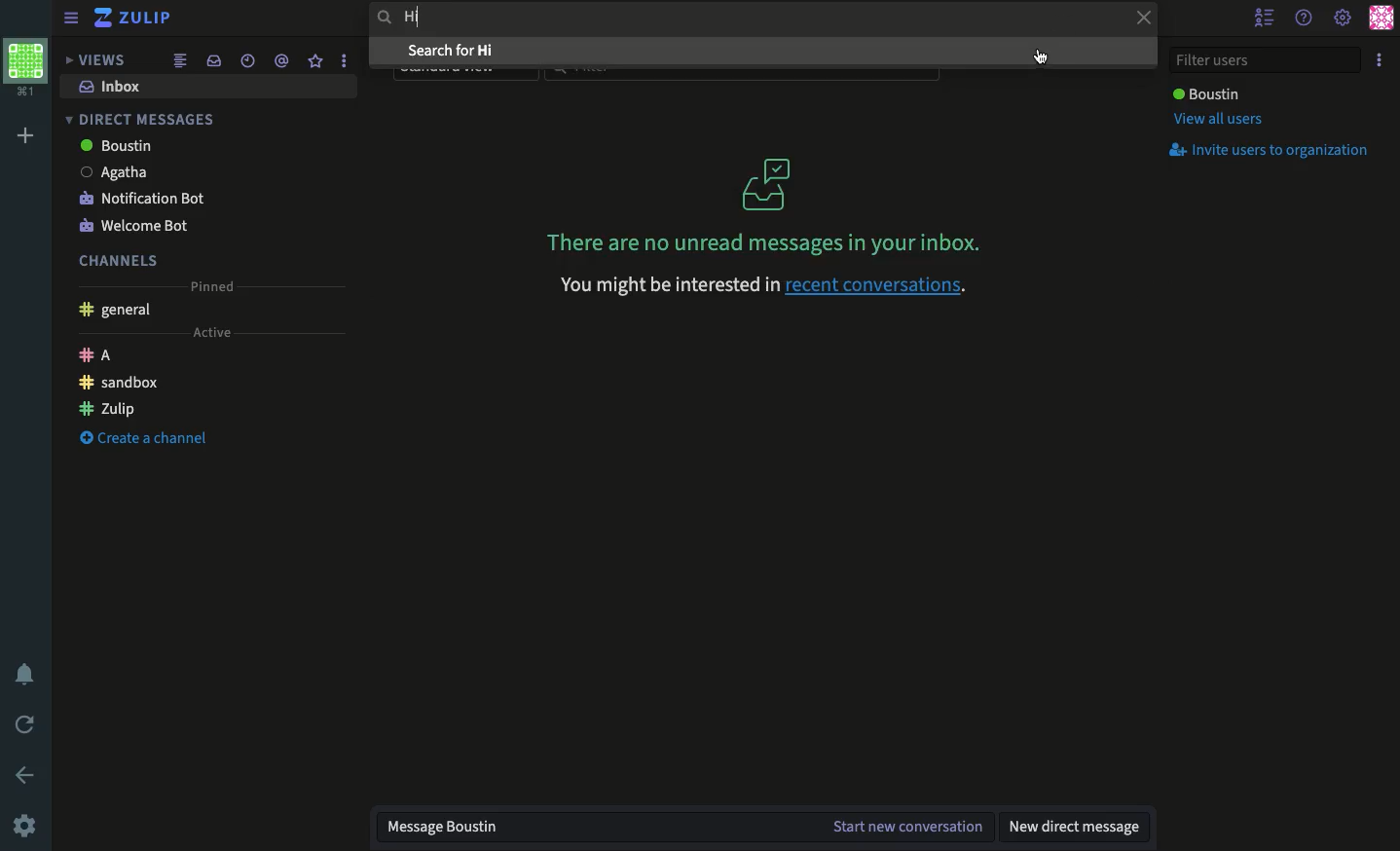  I want to click on Inbox, so click(210, 61).